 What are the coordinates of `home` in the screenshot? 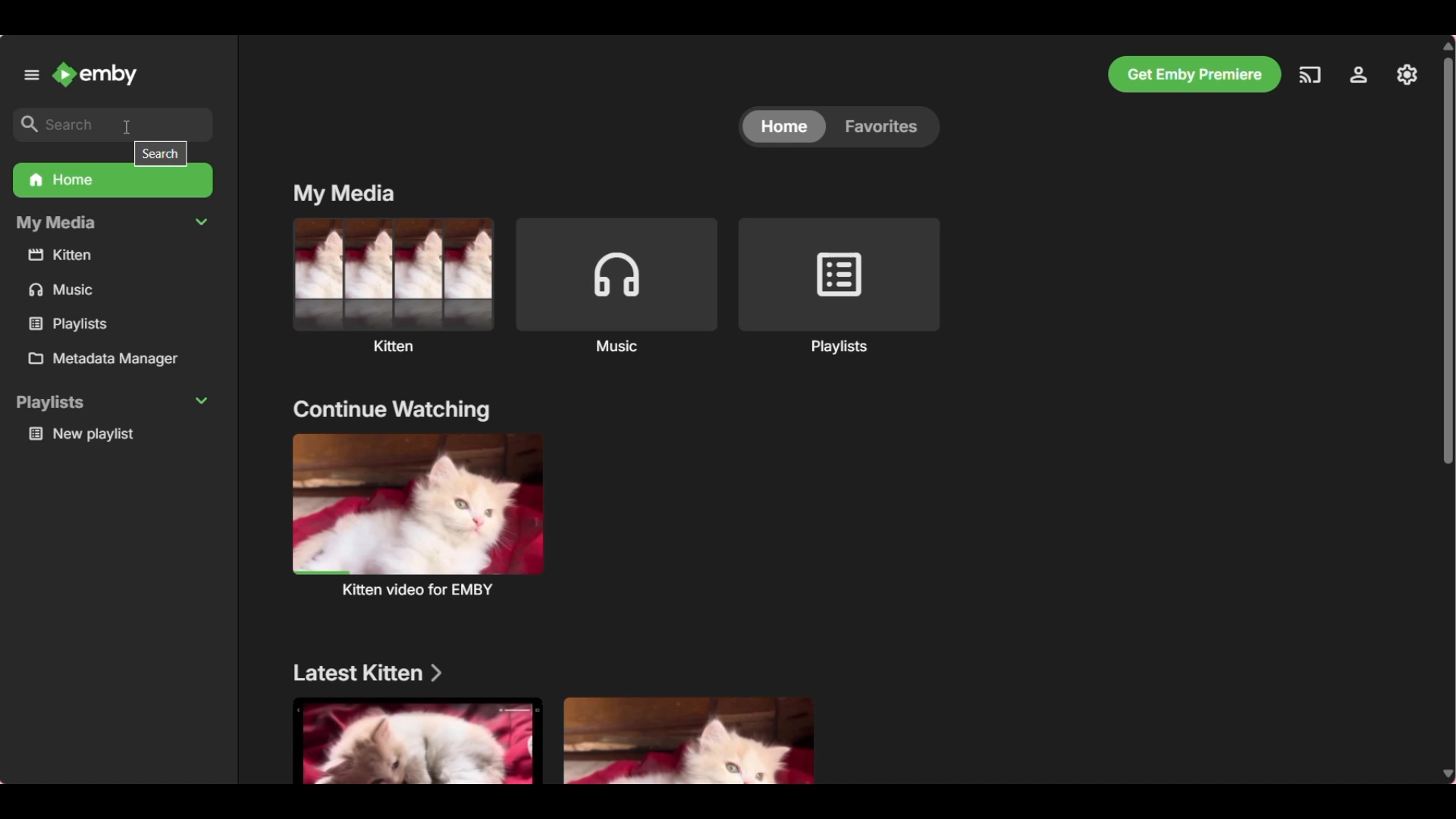 It's located at (781, 126).